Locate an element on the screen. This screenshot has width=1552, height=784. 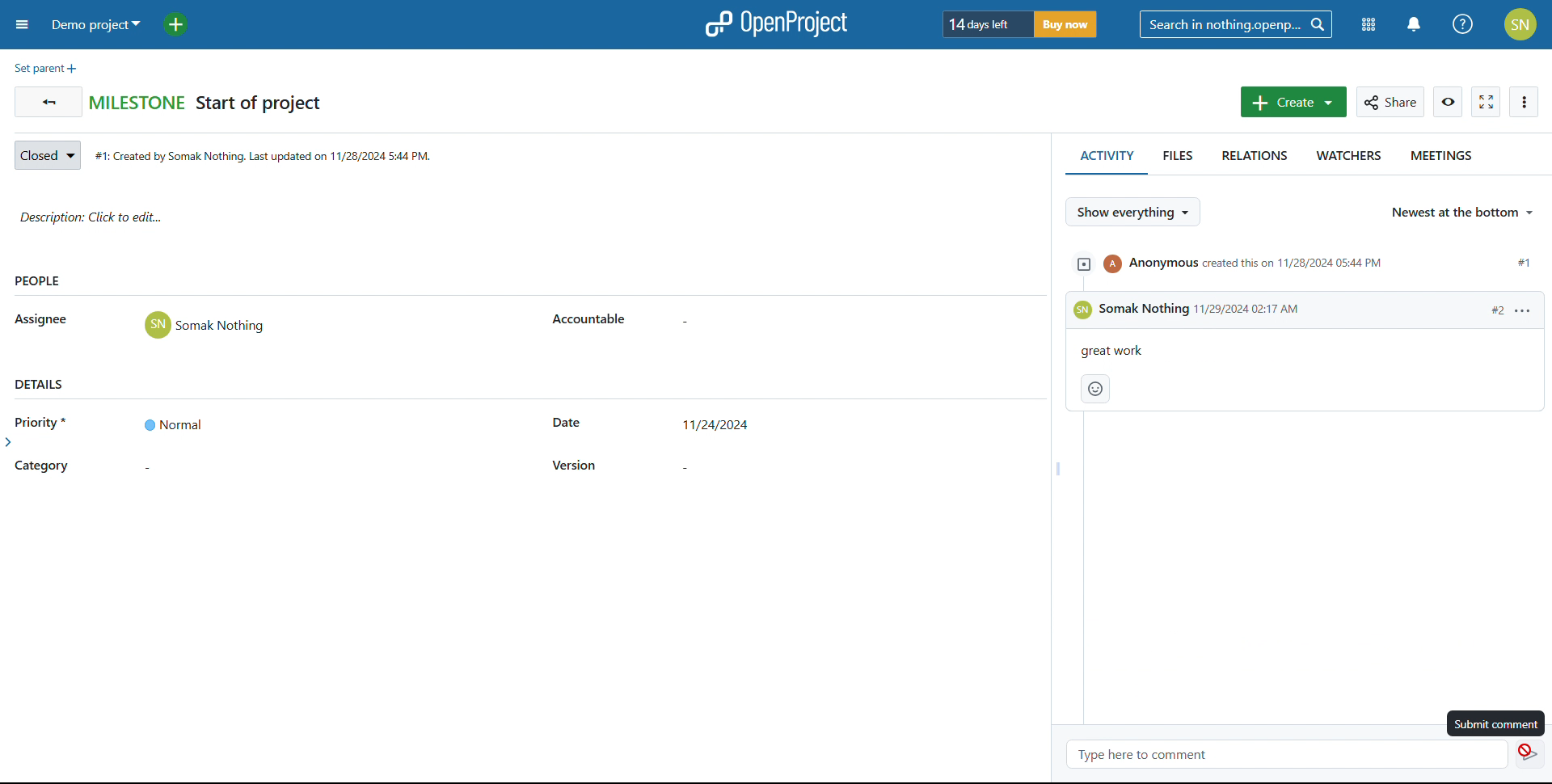
event created is located at coordinates (1250, 262).